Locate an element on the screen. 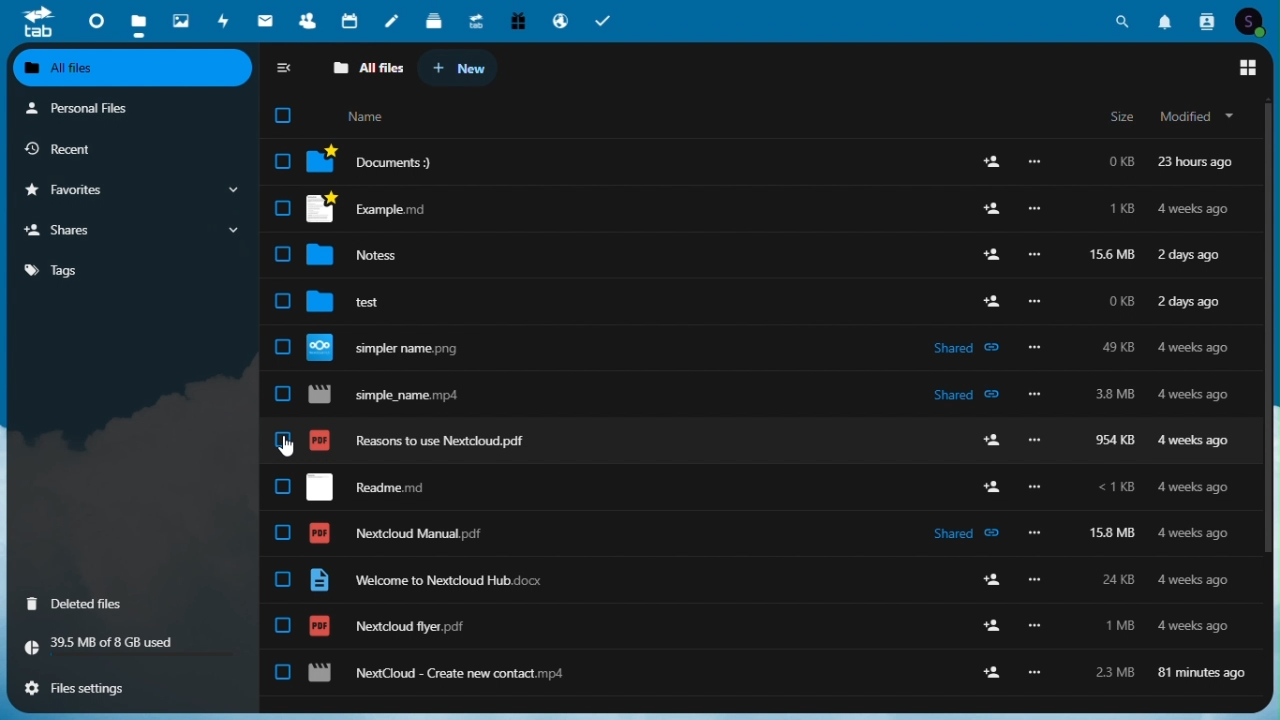   is located at coordinates (1033, 302).